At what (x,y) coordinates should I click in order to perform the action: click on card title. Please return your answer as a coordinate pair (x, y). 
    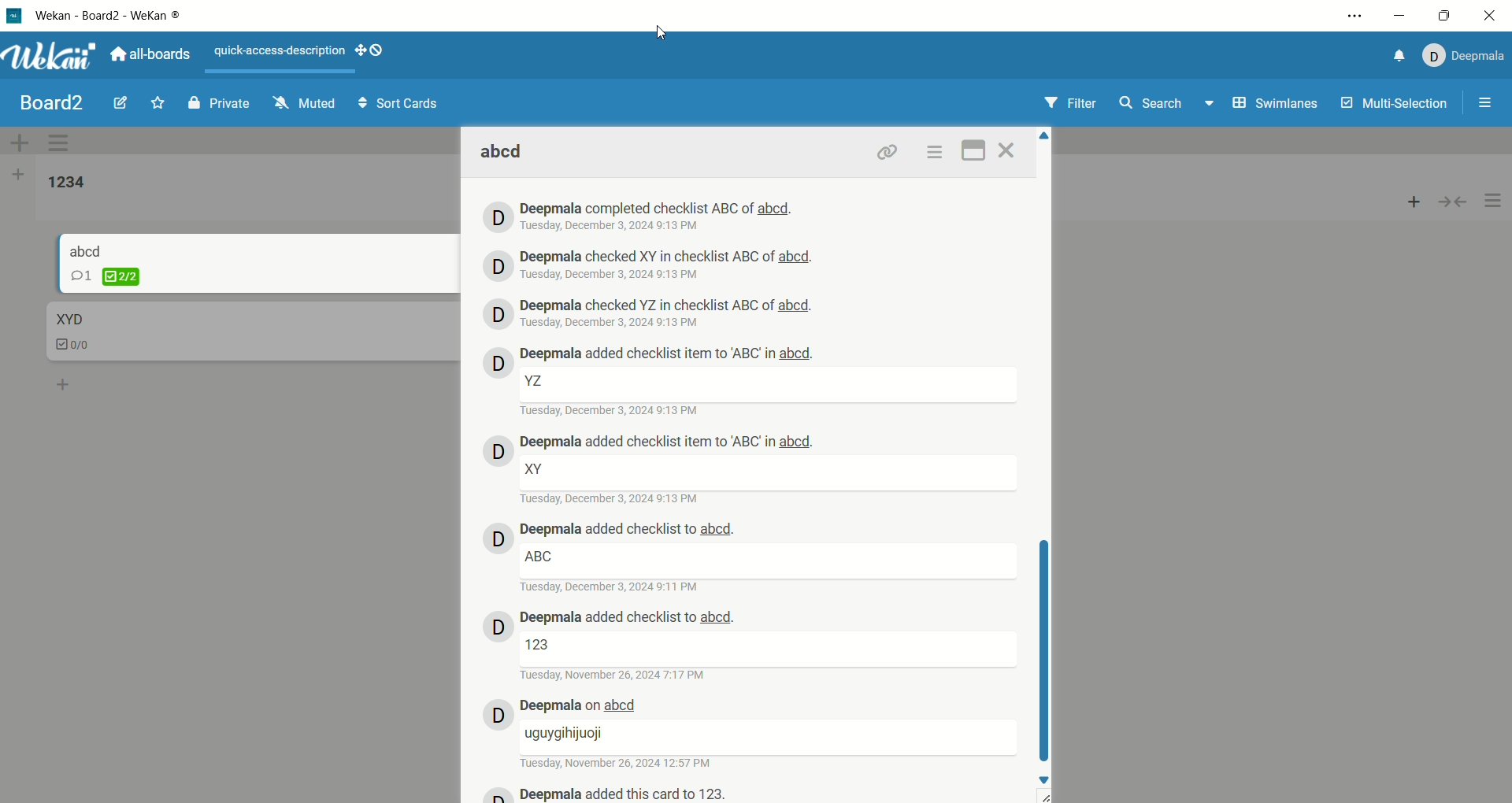
    Looking at the image, I should click on (68, 320).